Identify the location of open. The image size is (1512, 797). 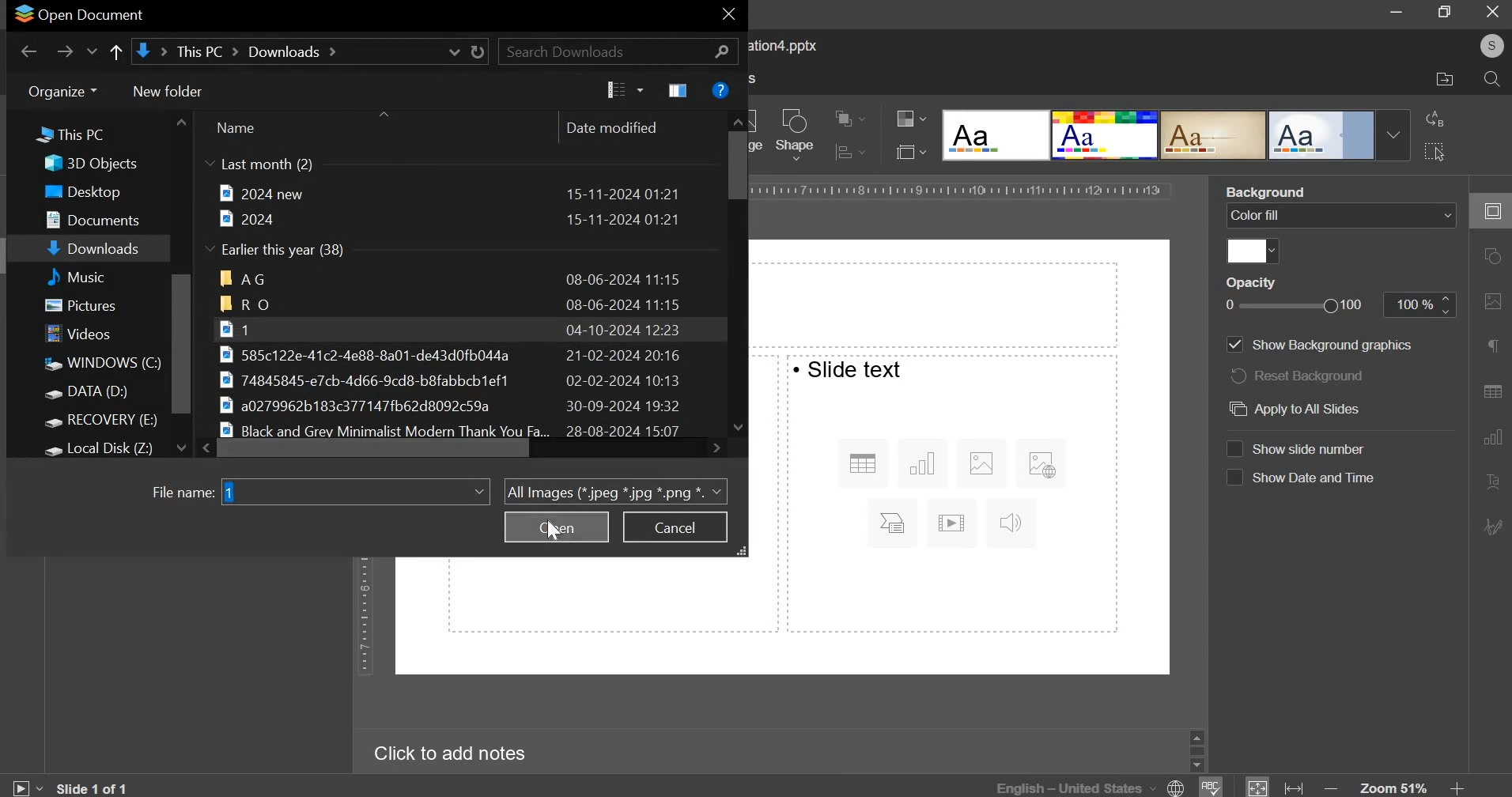
(557, 527).